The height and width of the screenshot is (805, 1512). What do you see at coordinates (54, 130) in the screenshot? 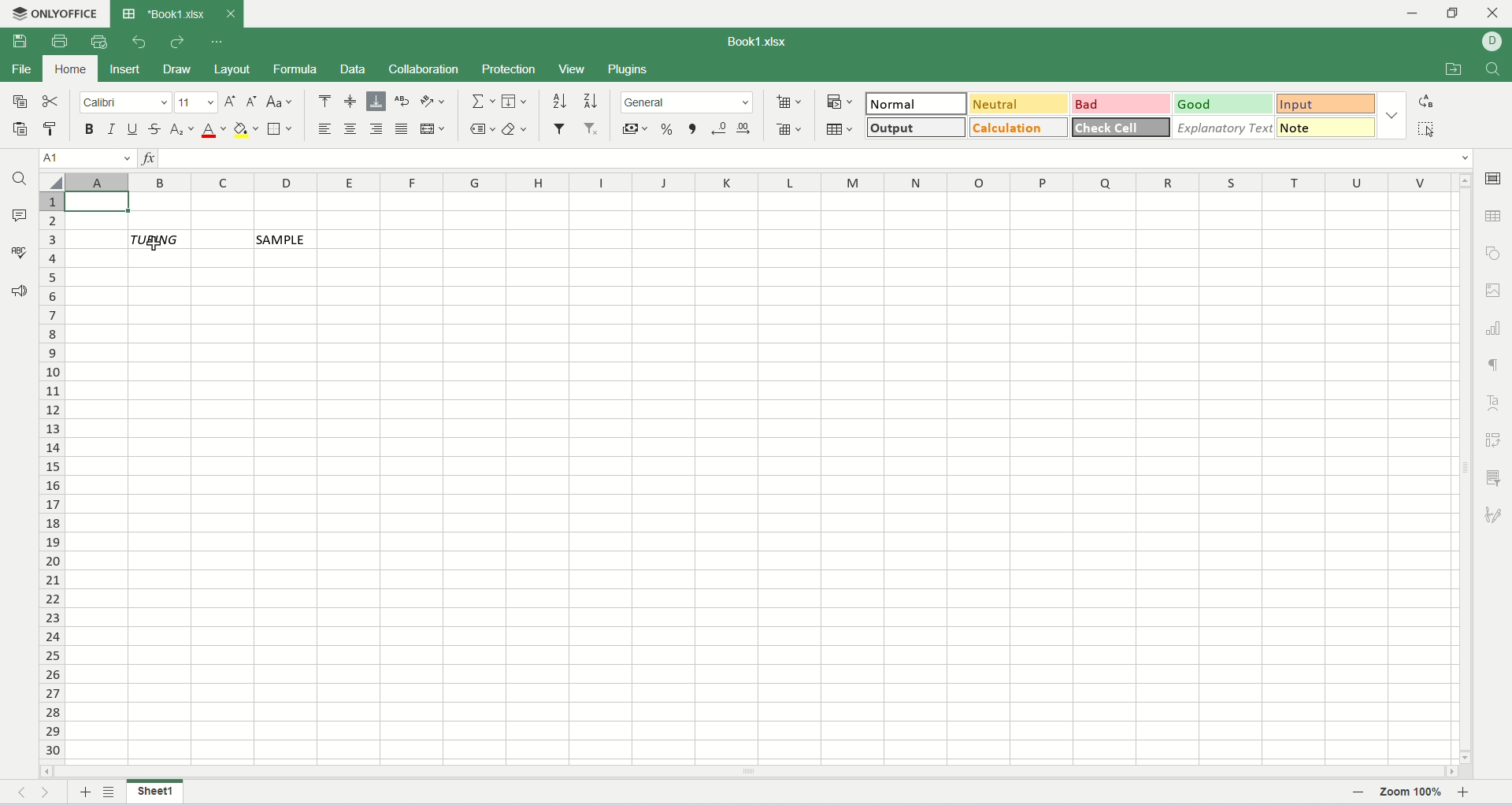
I see `copy style` at bounding box center [54, 130].